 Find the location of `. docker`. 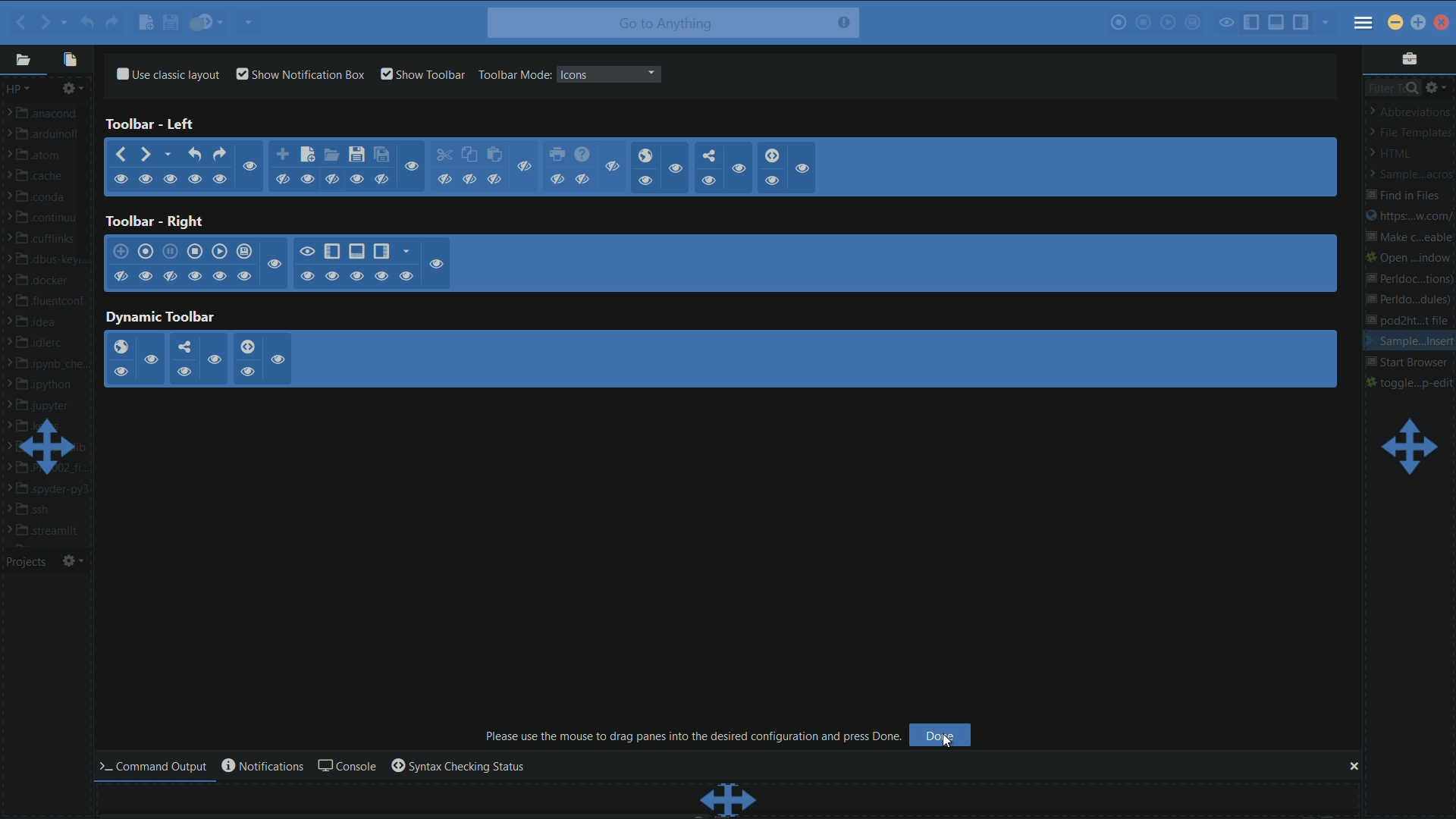

. docker is located at coordinates (47, 282).